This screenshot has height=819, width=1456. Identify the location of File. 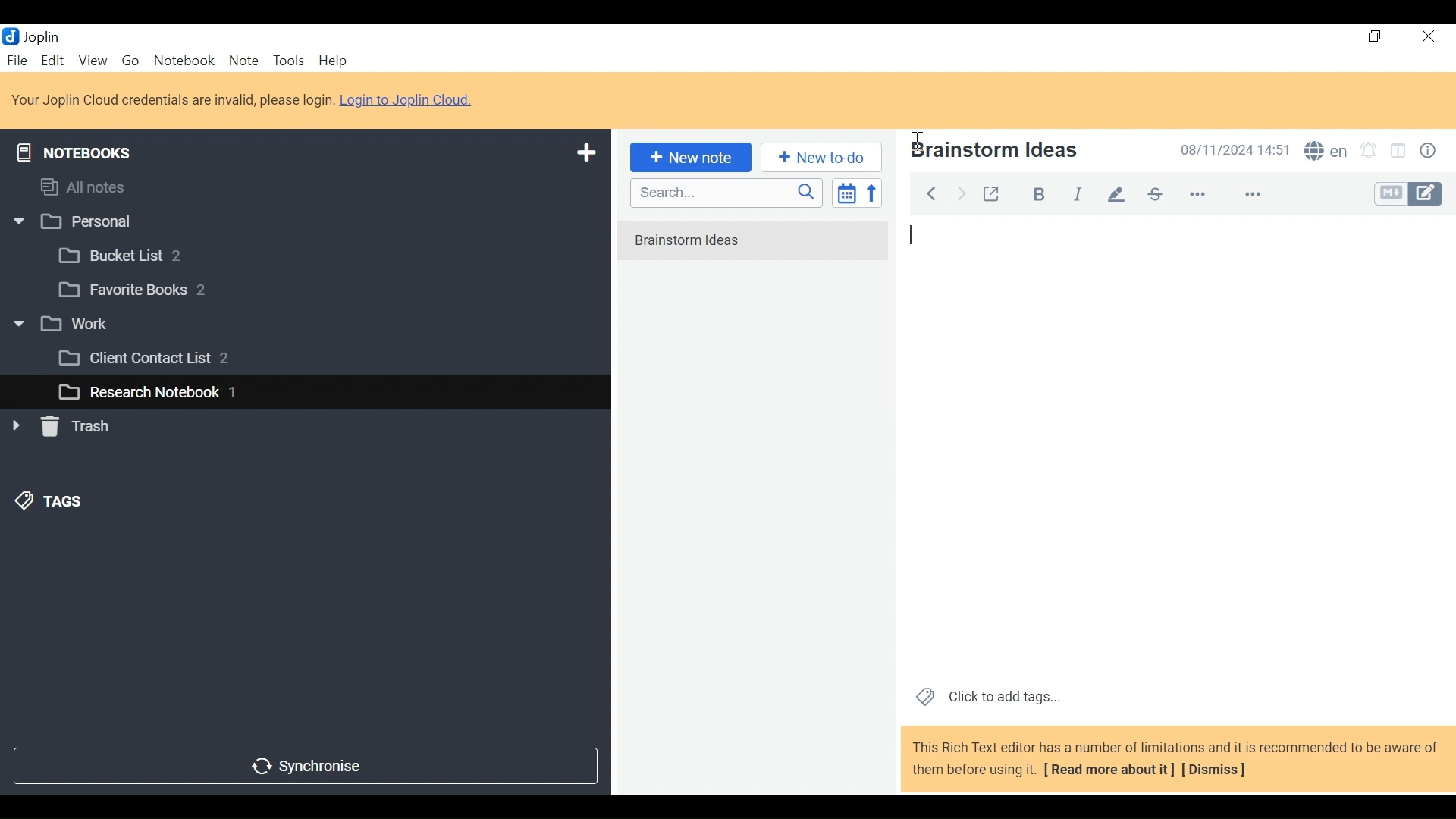
(19, 60).